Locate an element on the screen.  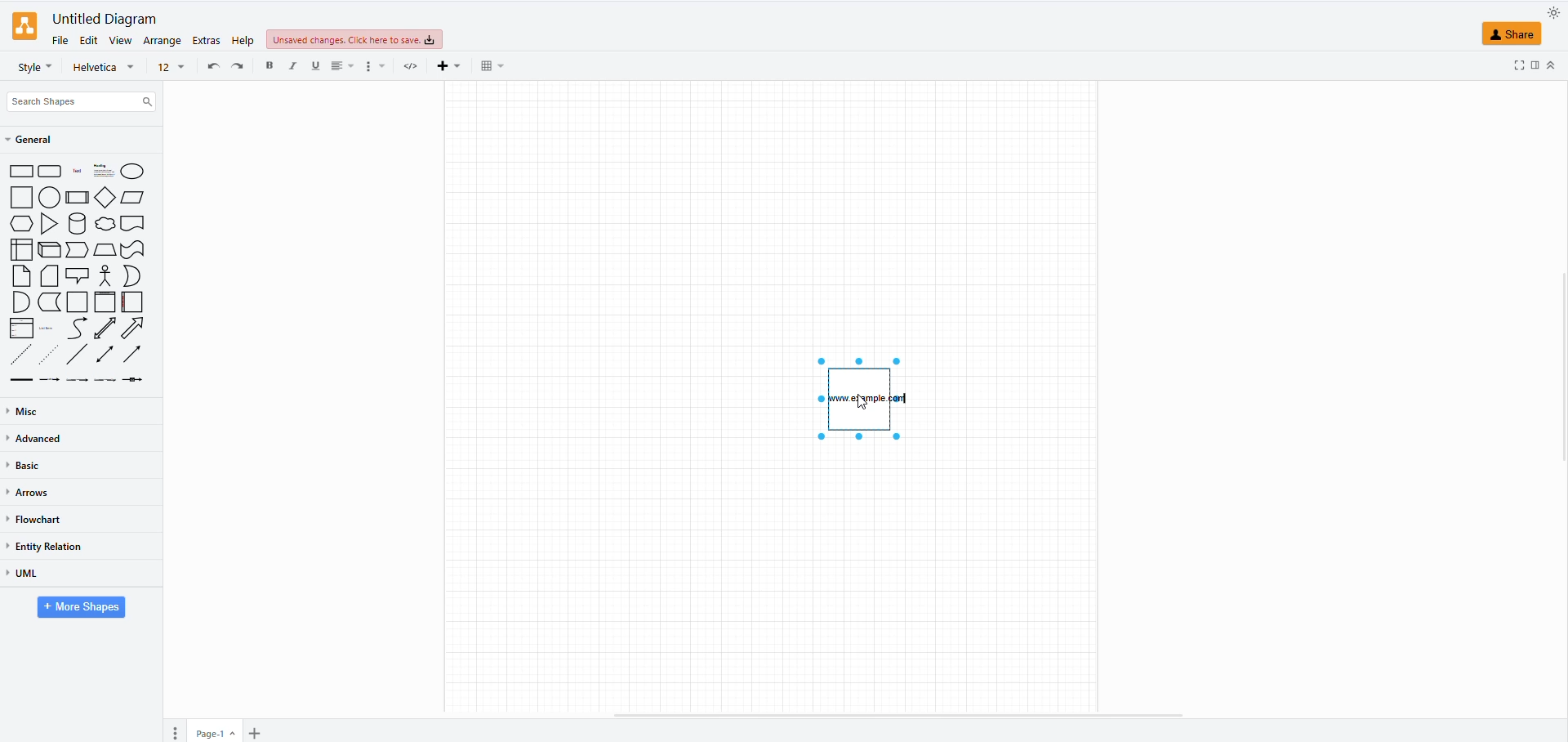
advanced is located at coordinates (42, 440).